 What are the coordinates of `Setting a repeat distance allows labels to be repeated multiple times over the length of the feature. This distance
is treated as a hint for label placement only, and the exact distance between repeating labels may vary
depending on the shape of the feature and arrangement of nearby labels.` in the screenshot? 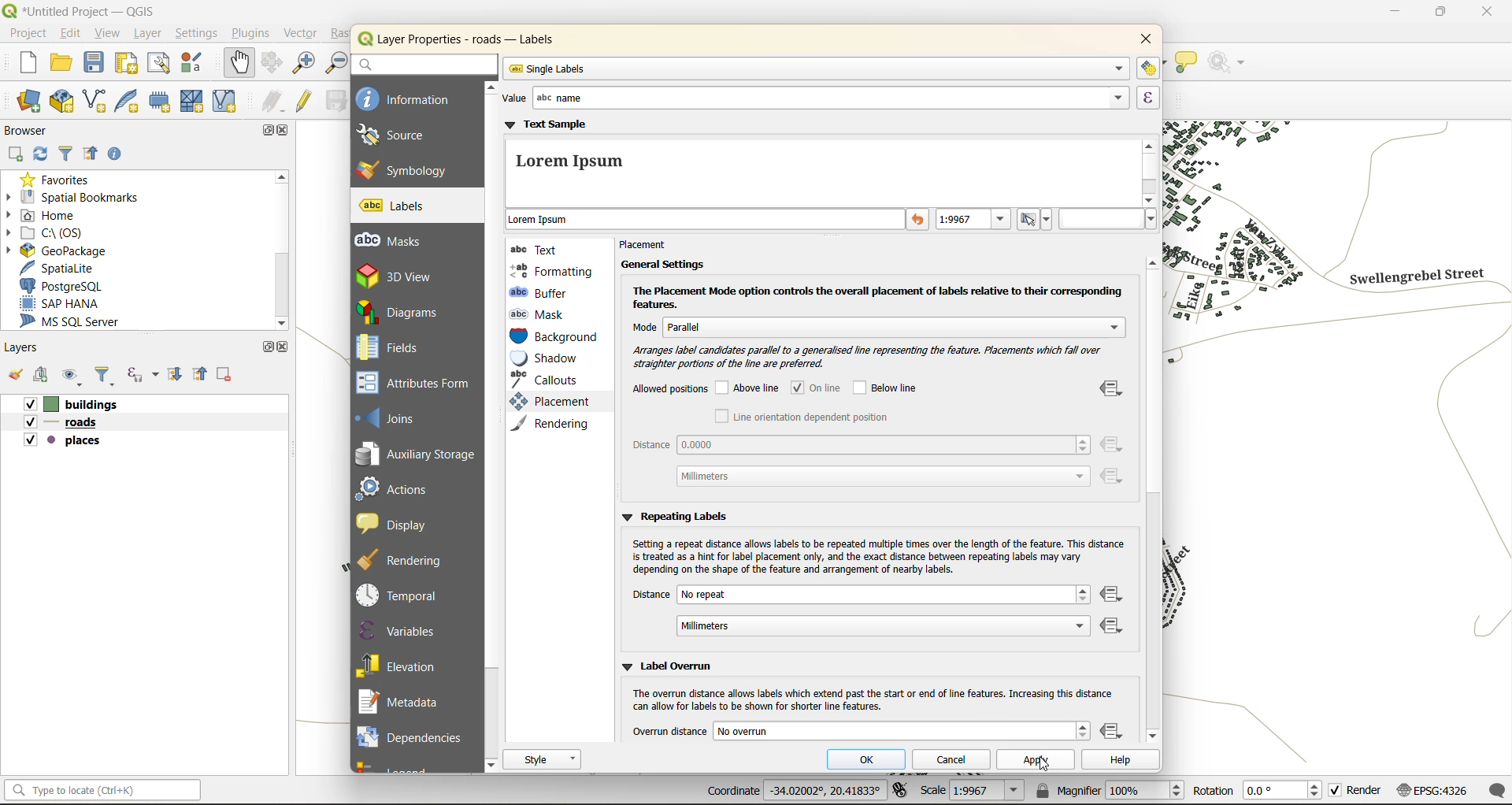 It's located at (878, 557).